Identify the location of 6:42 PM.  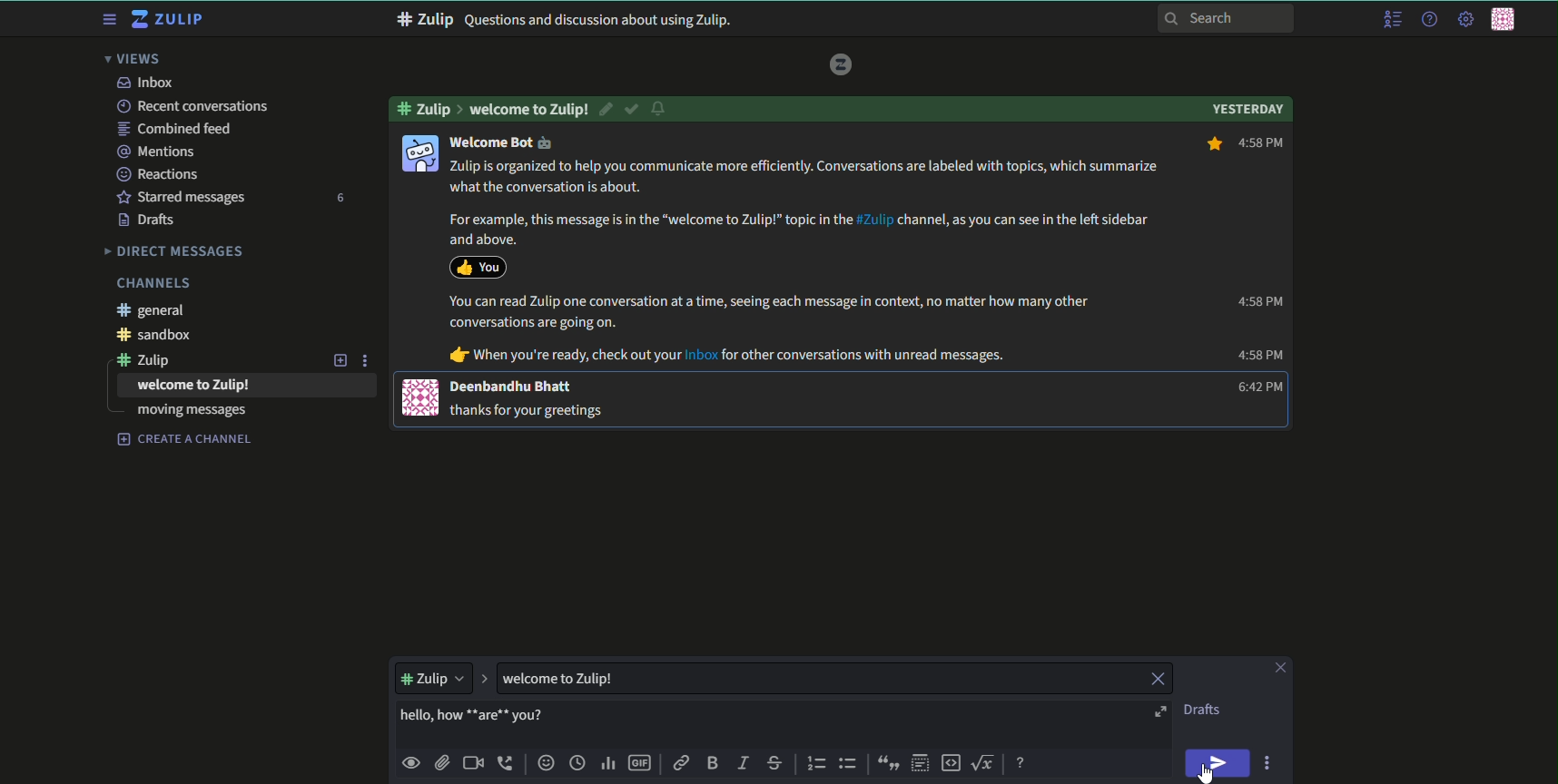
(1255, 387).